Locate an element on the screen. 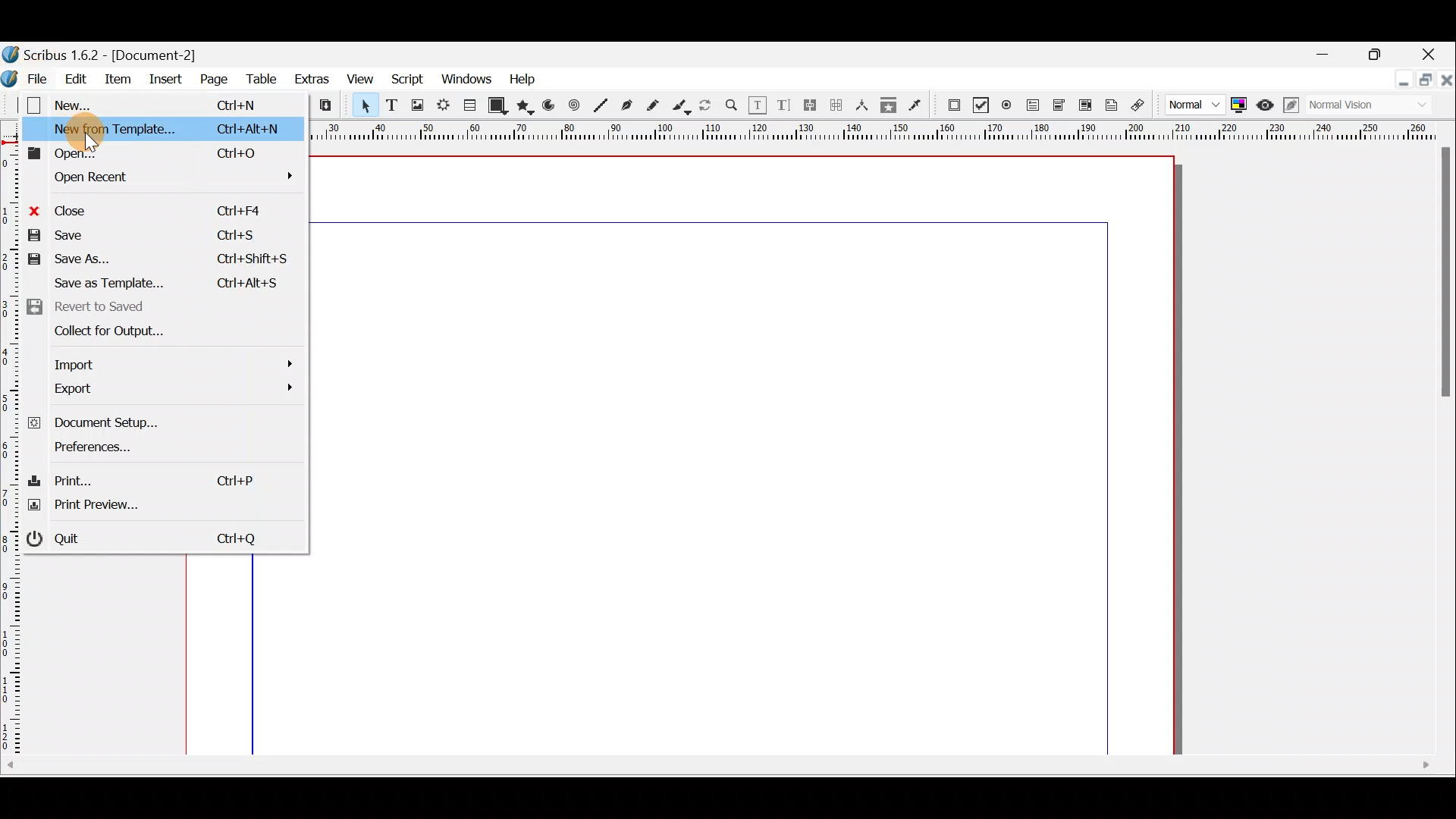 Image resolution: width=1456 pixels, height=819 pixels. Freehand line is located at coordinates (657, 105).